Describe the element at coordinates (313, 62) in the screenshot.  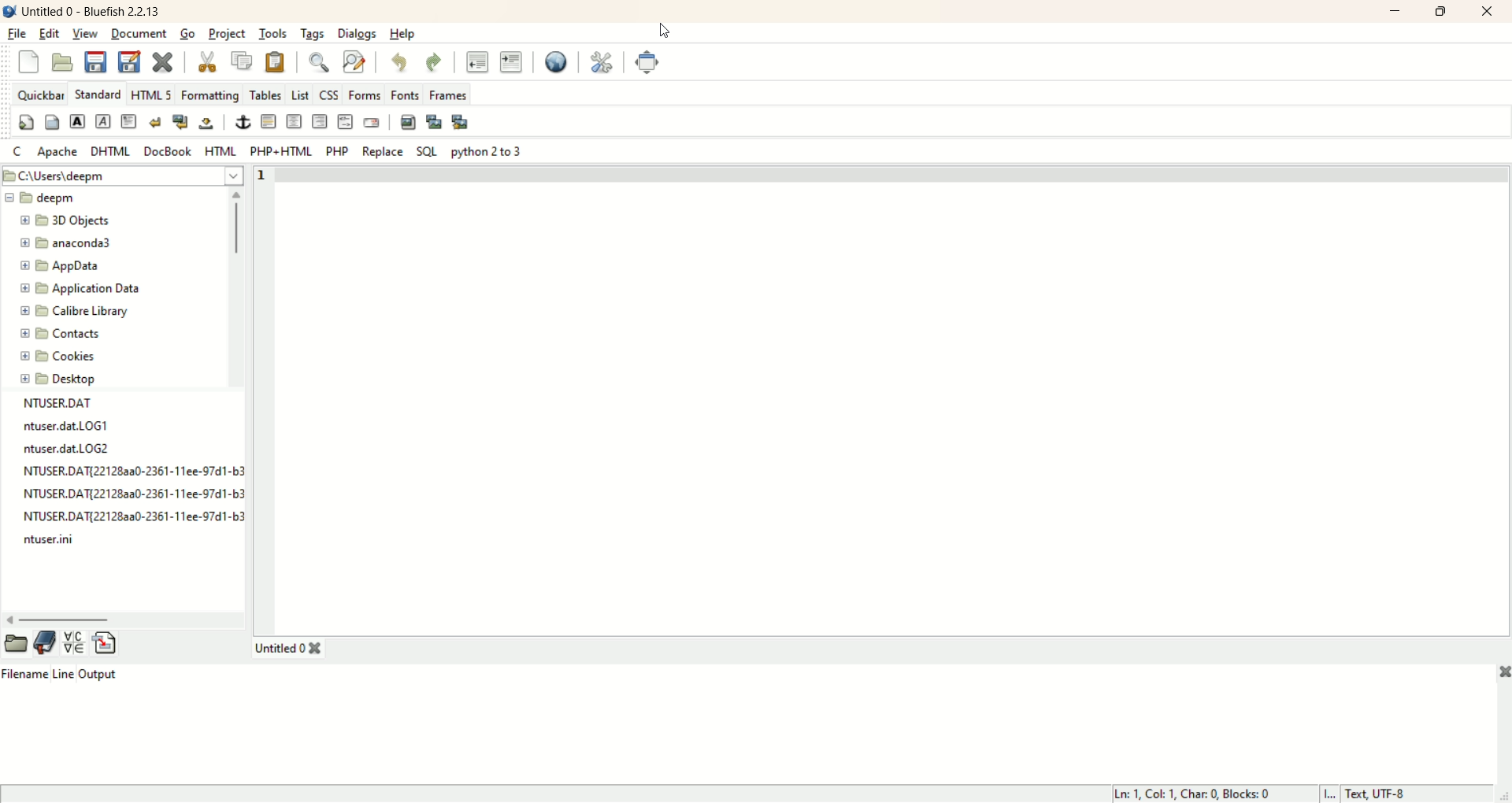
I see `show find bar` at that location.